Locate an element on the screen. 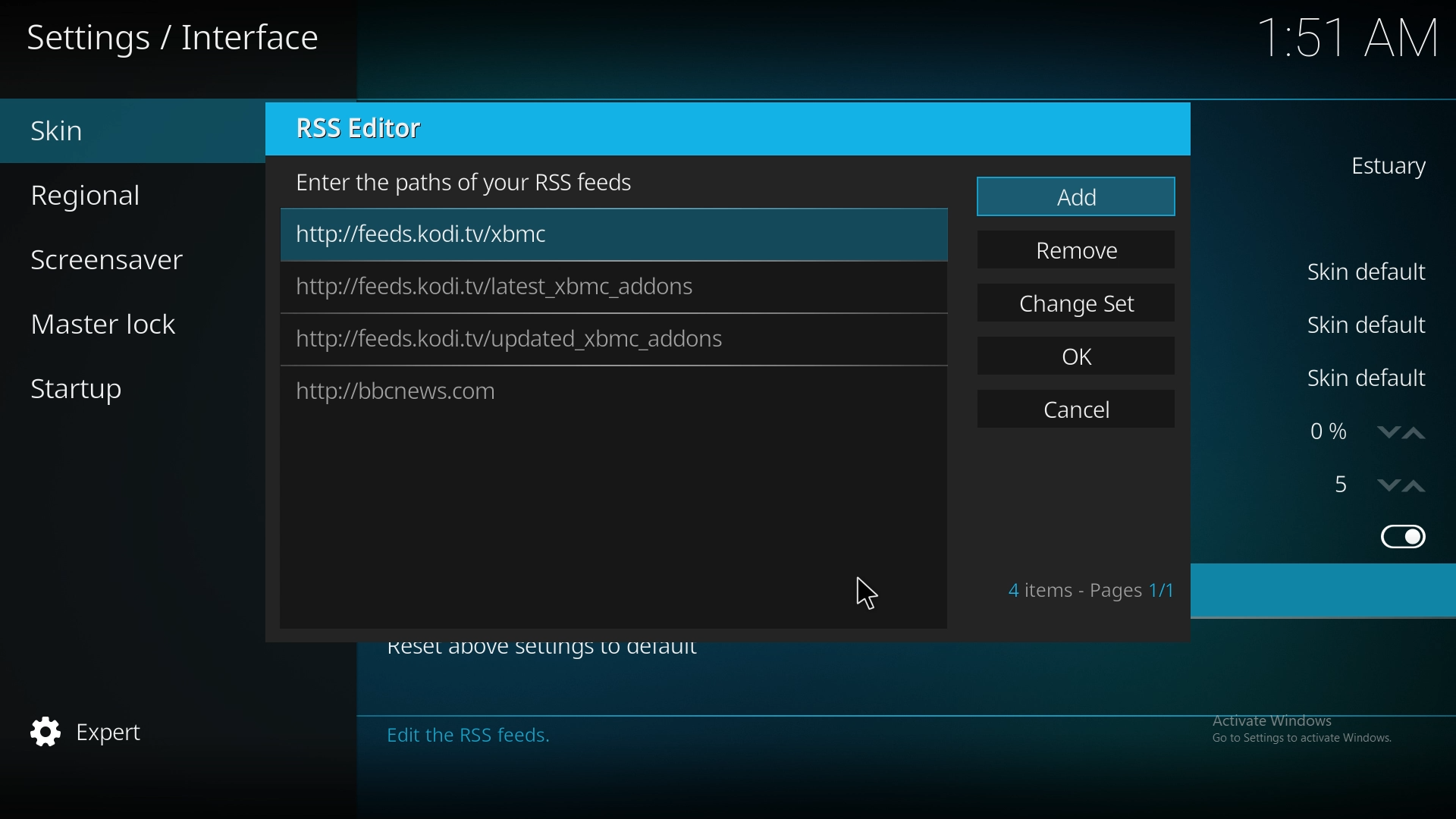  Edit the RSS feeds is located at coordinates (619, 736).